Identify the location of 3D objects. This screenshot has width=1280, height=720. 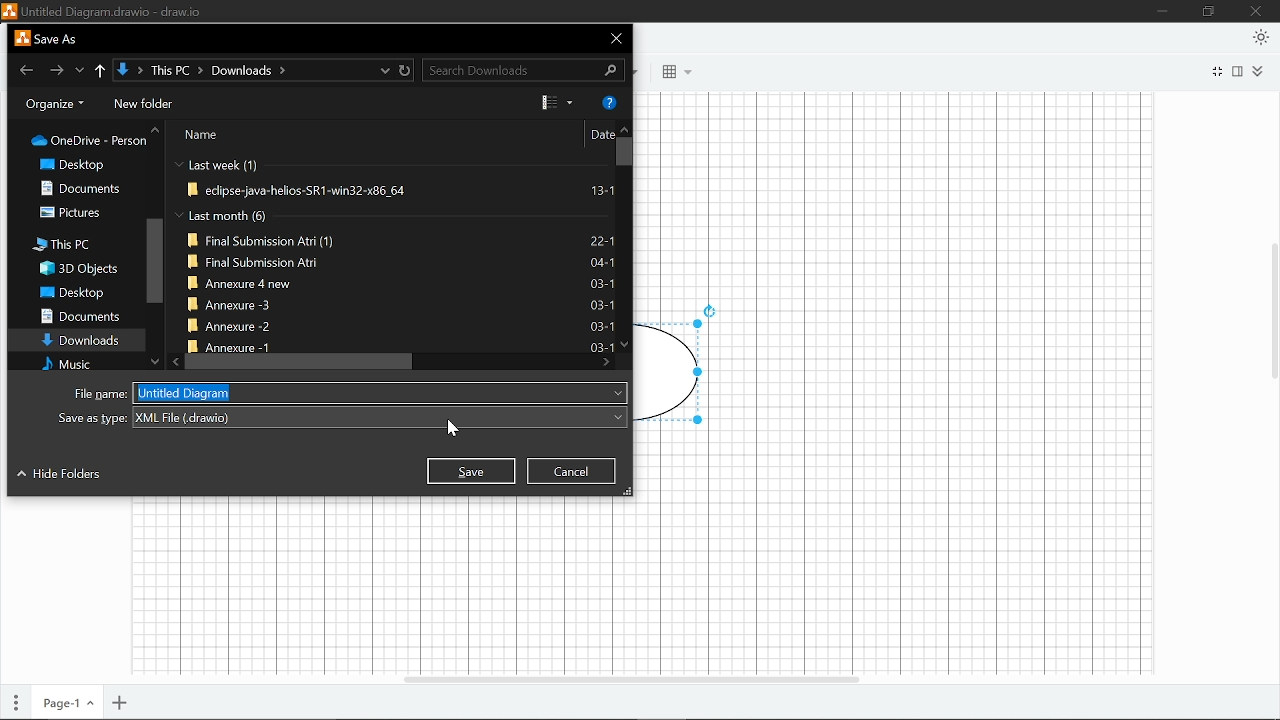
(77, 269).